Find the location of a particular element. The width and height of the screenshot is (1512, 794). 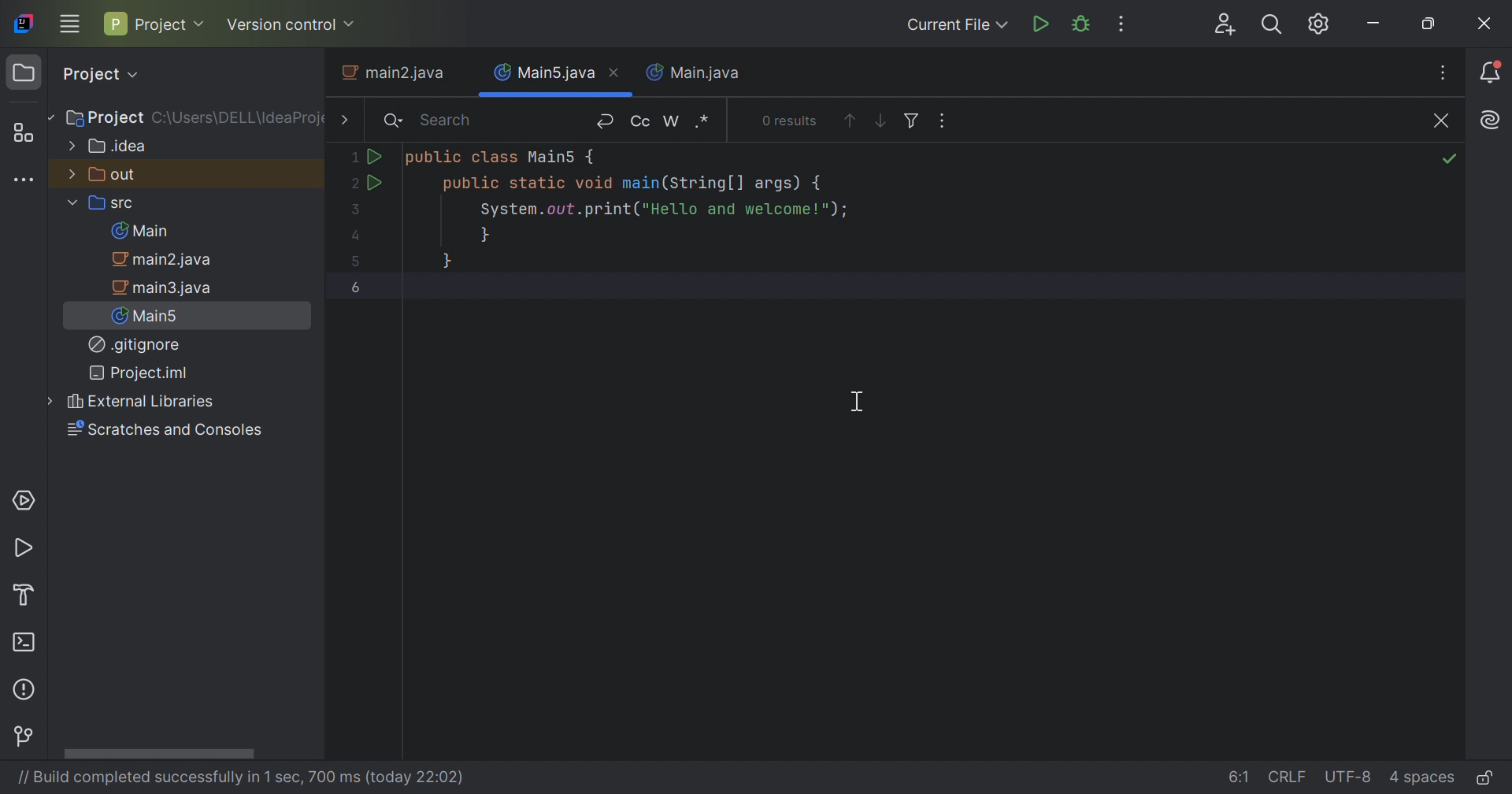

Project.iml is located at coordinates (138, 373).